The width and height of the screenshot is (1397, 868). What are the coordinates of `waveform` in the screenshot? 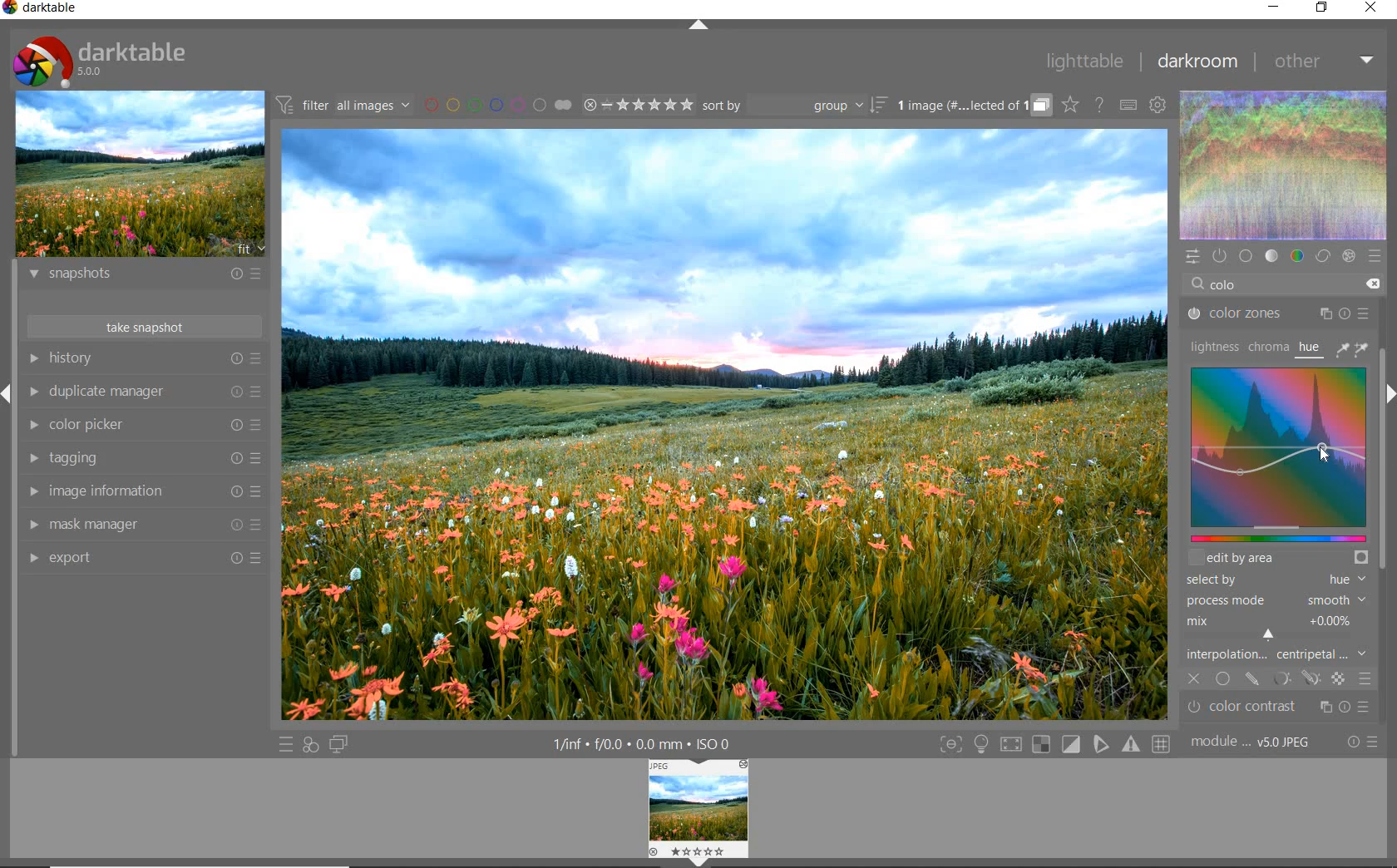 It's located at (1285, 165).